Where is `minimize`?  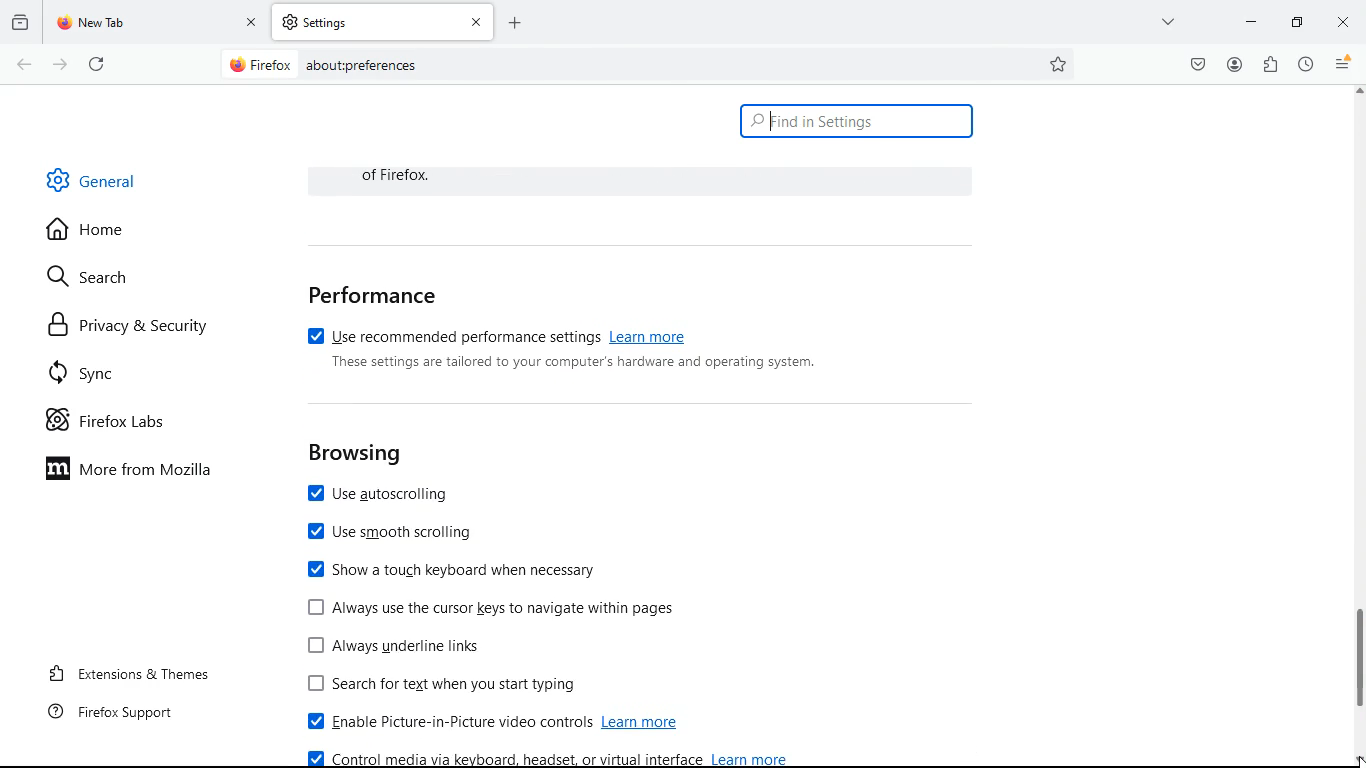
minimize is located at coordinates (1295, 21).